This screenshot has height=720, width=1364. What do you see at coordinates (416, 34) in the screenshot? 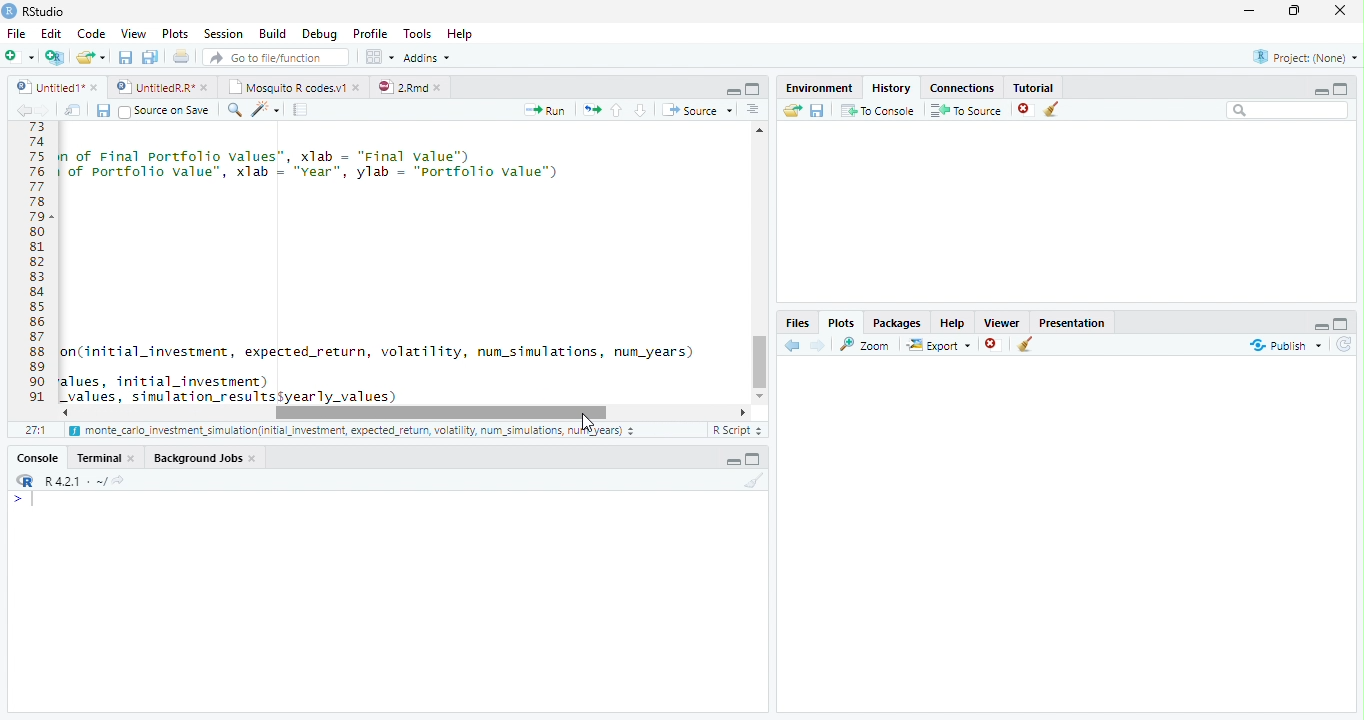
I see `Tools` at bounding box center [416, 34].